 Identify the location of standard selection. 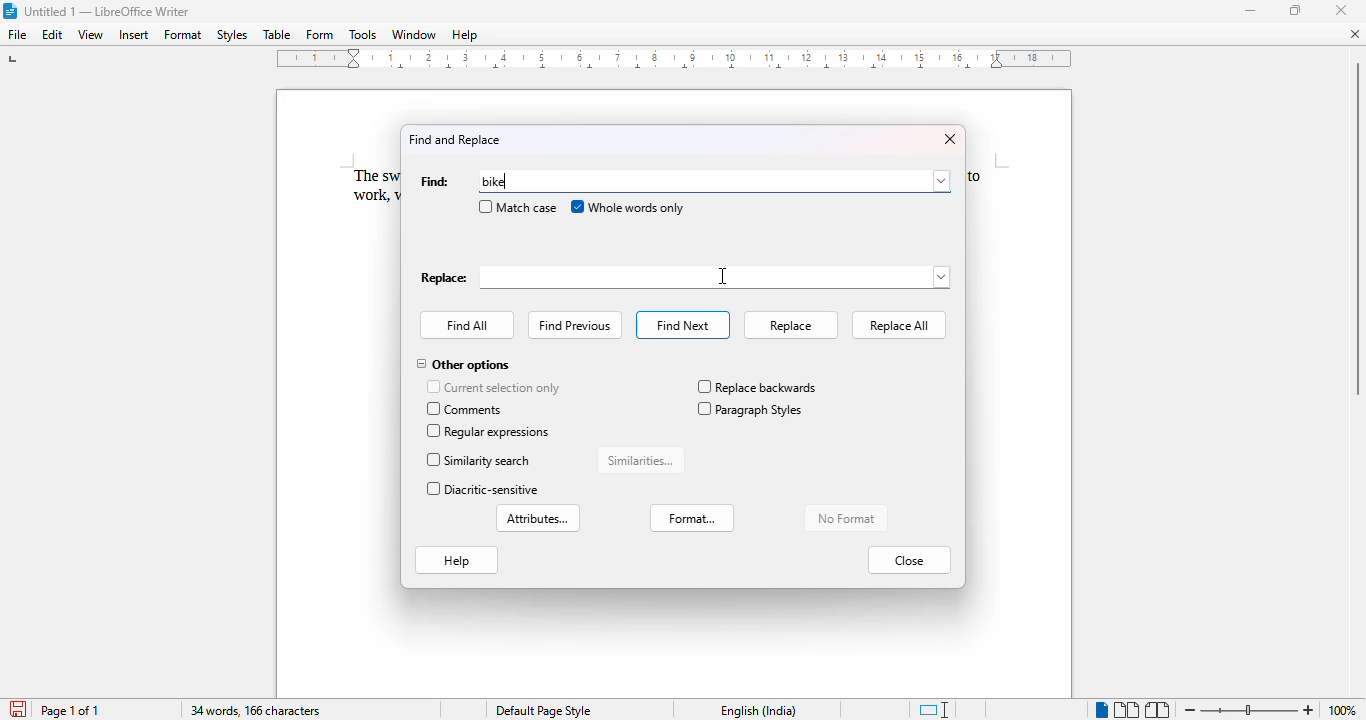
(934, 710).